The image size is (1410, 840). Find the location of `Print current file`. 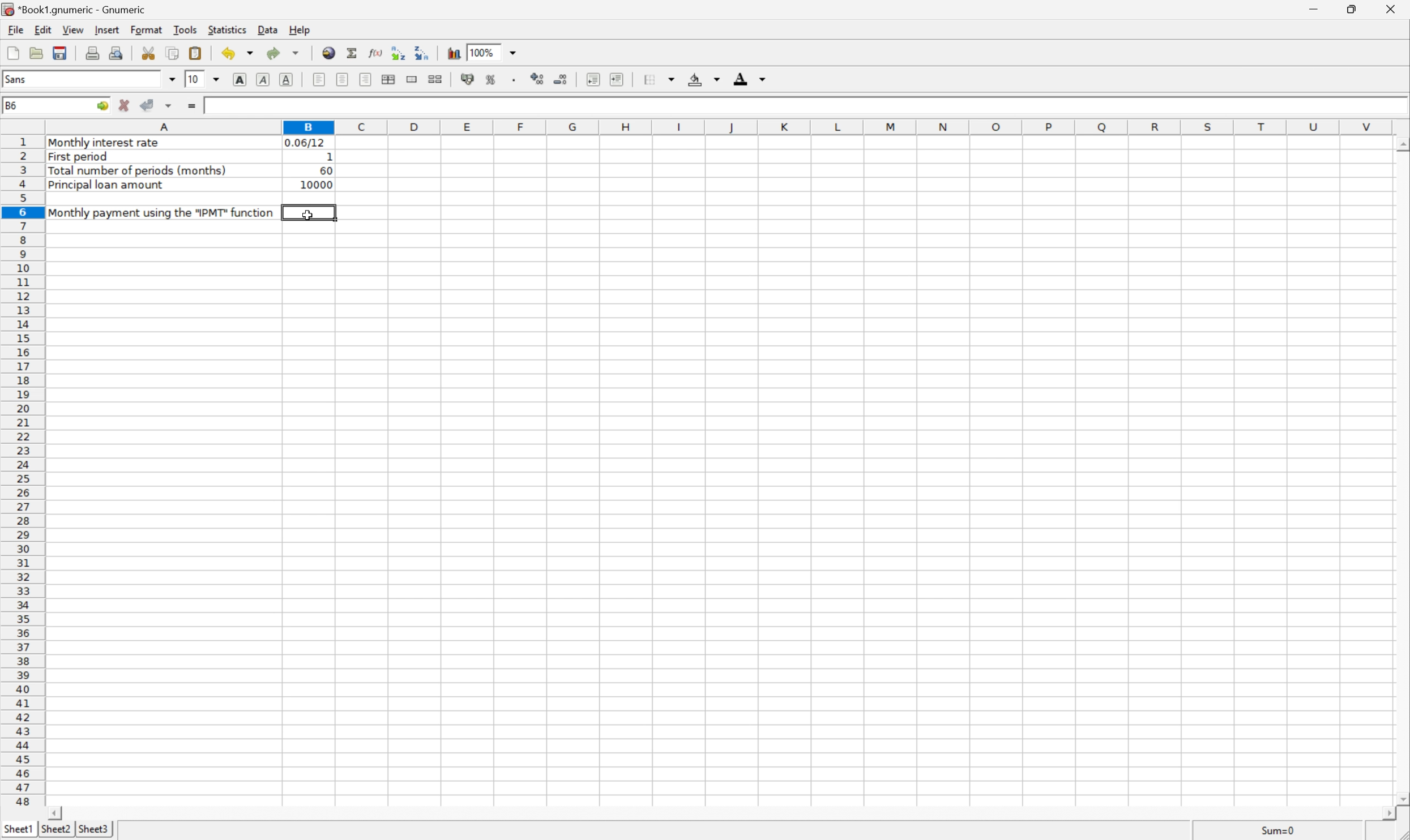

Print current file is located at coordinates (95, 52).